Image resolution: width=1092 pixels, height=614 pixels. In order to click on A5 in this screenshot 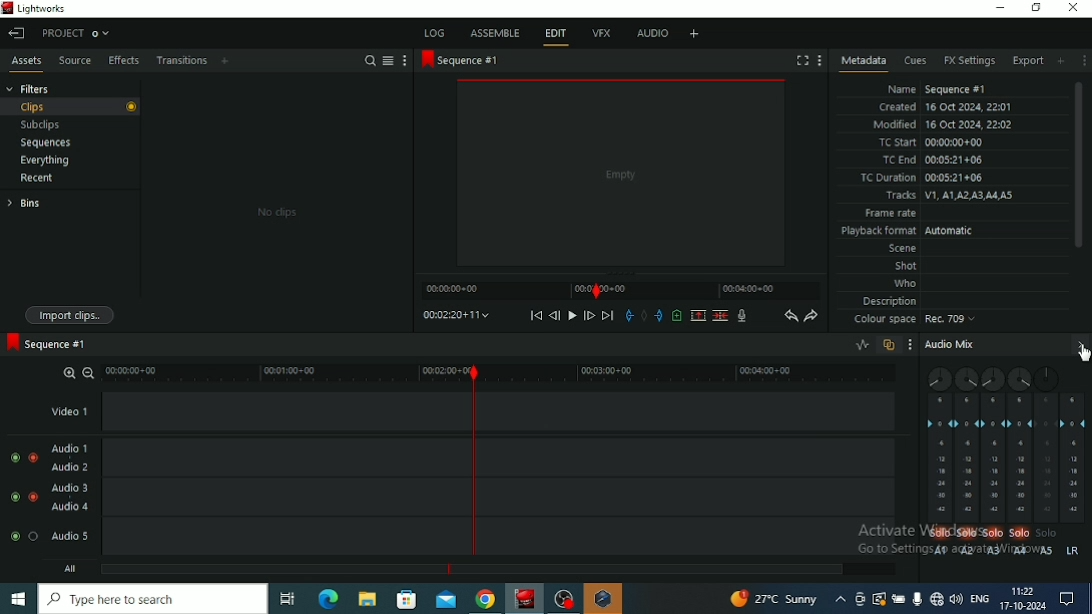, I will do `click(1048, 551)`.